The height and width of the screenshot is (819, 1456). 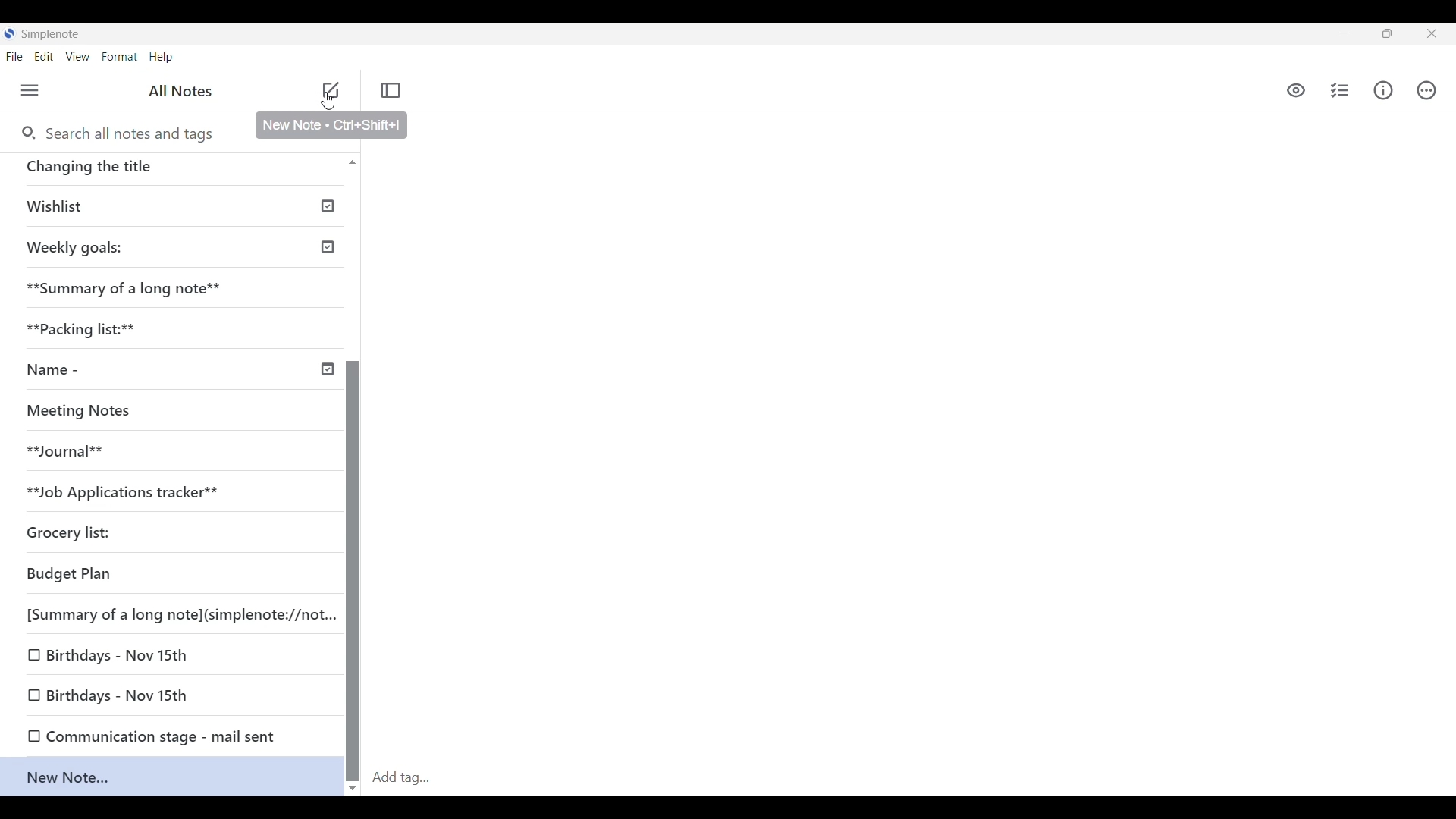 What do you see at coordinates (120, 654) in the screenshot?
I see `birthdays - nov 15th` at bounding box center [120, 654].